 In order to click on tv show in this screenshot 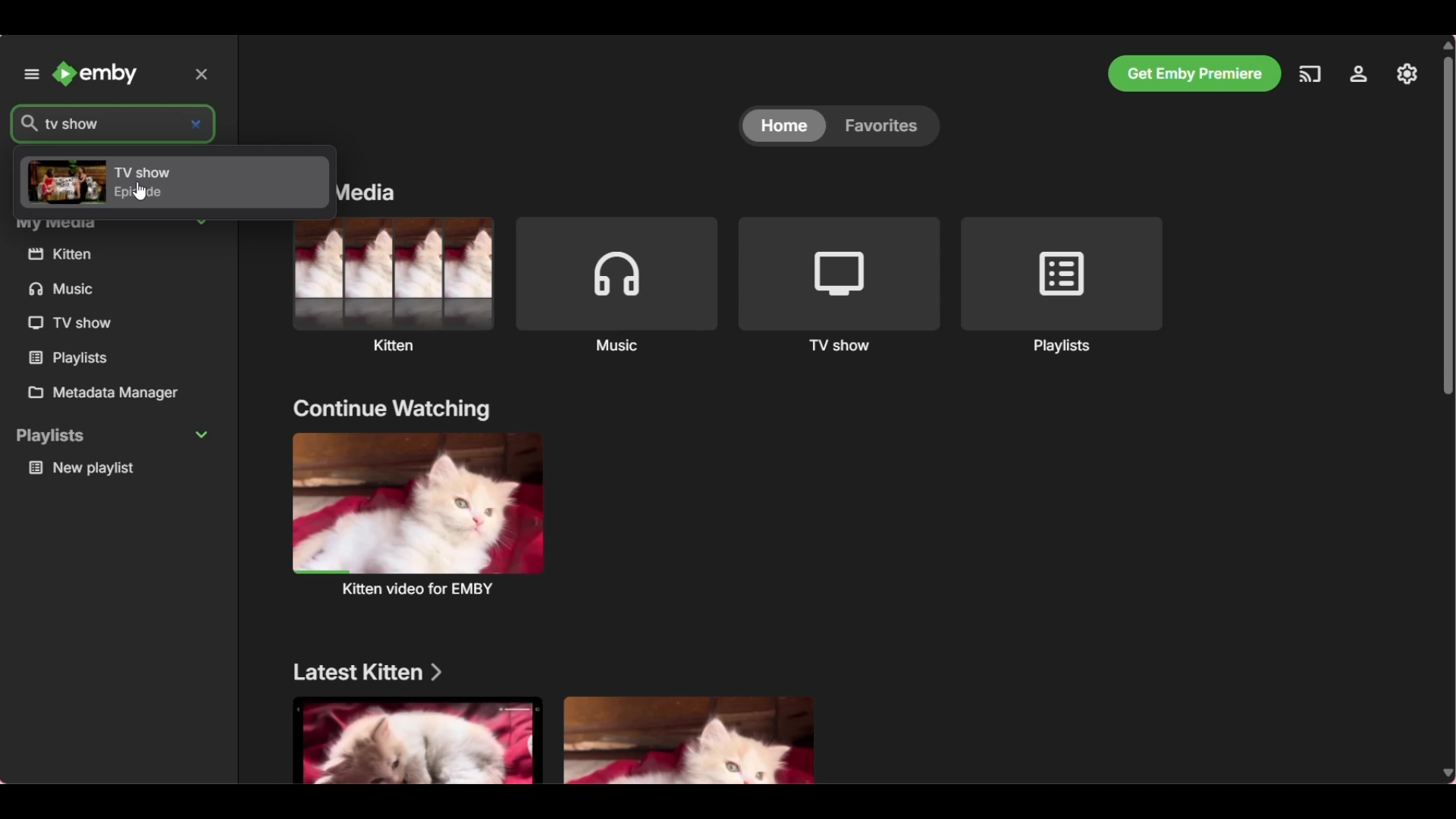, I will do `click(64, 125)`.